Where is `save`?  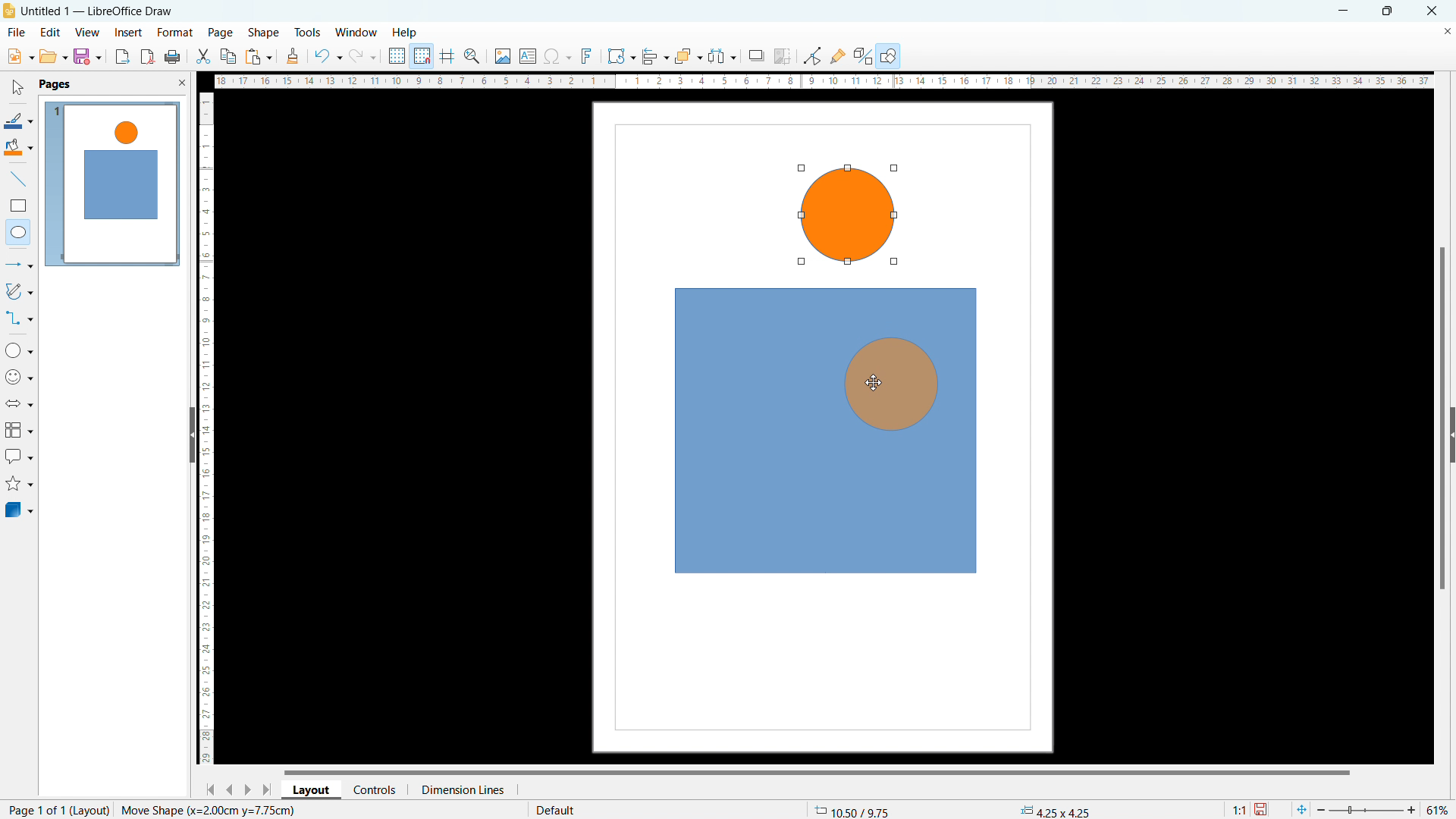
save is located at coordinates (87, 56).